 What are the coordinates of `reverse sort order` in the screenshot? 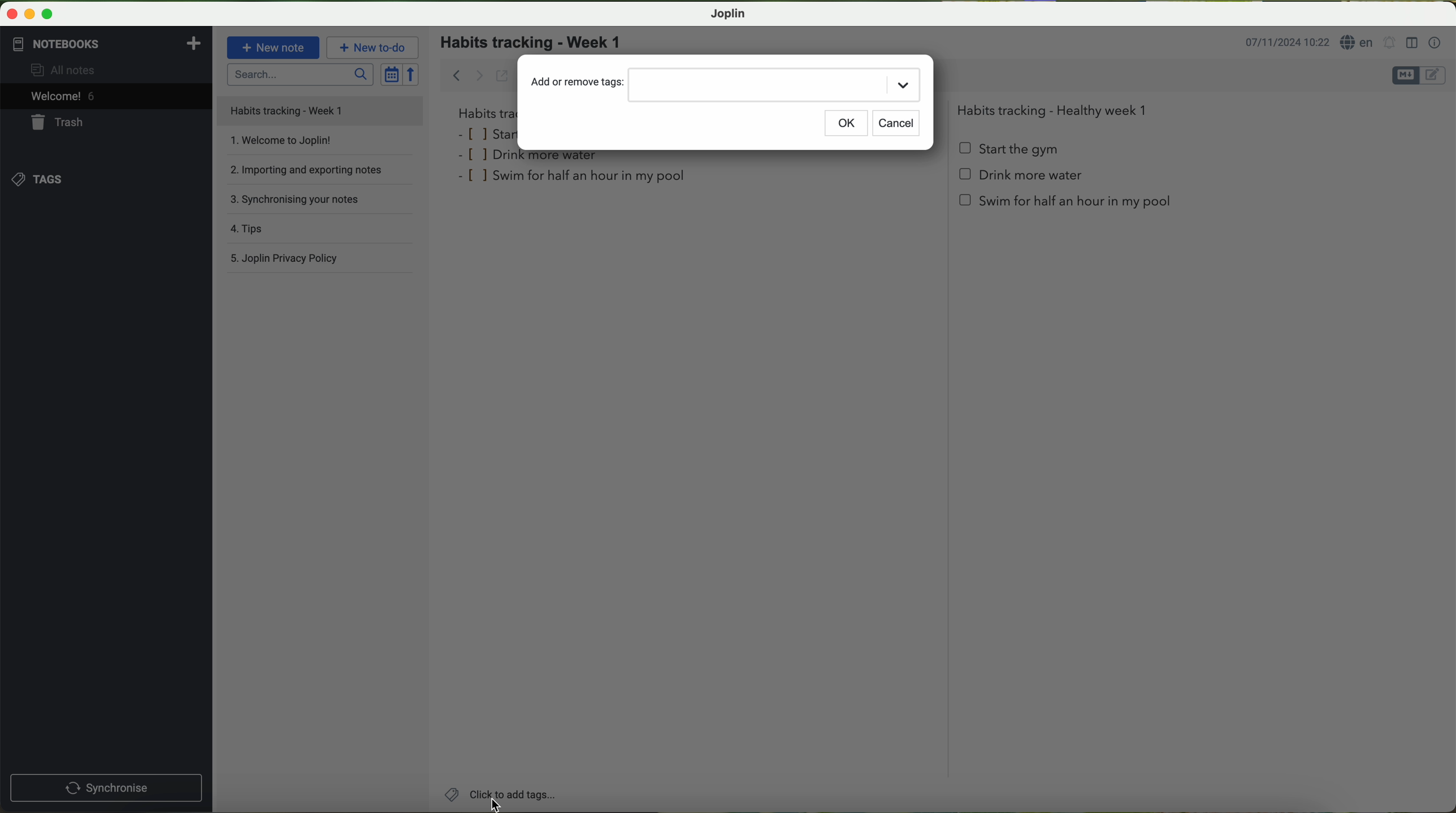 It's located at (412, 74).